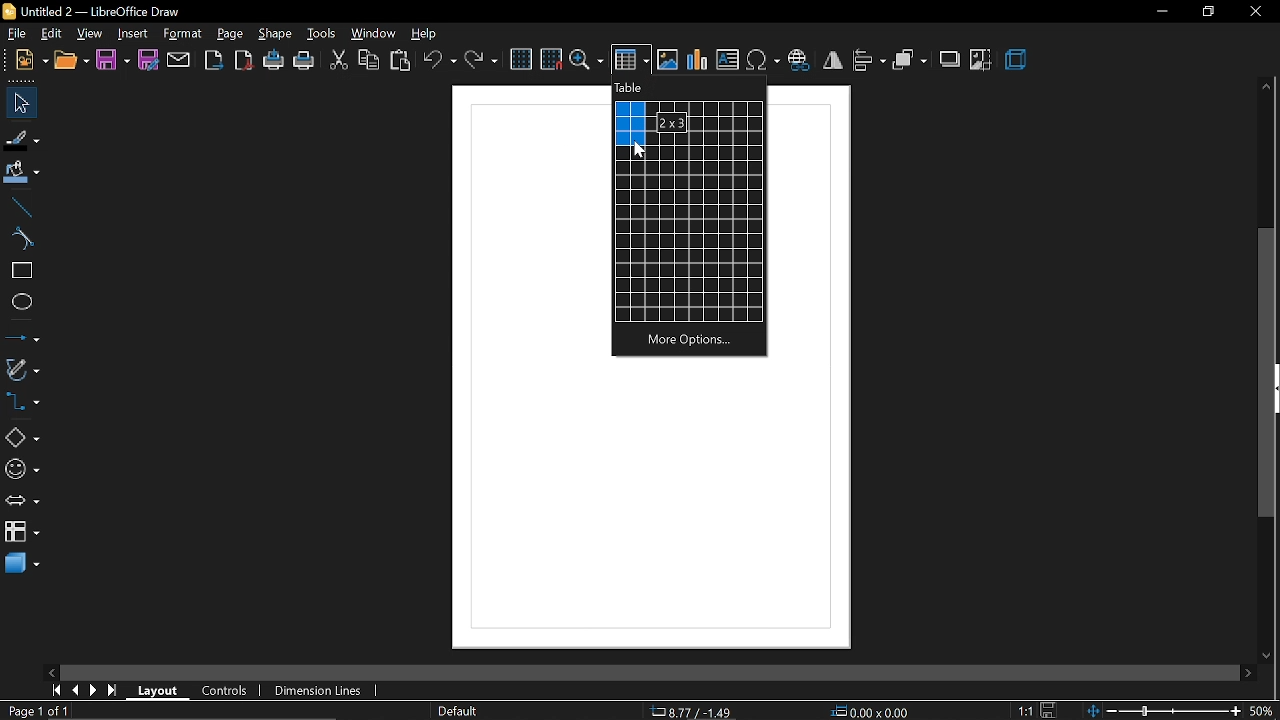 This screenshot has width=1280, height=720. What do you see at coordinates (21, 565) in the screenshot?
I see `3d shapes` at bounding box center [21, 565].